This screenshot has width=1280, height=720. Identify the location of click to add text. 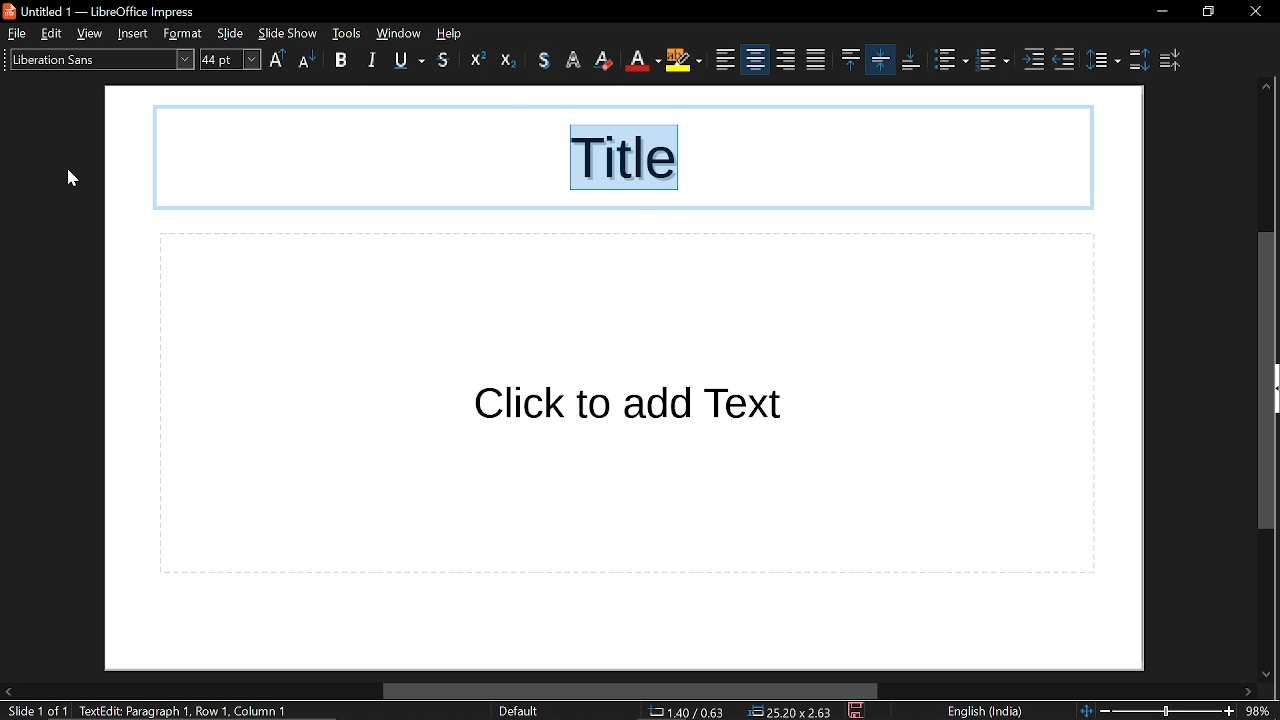
(627, 404).